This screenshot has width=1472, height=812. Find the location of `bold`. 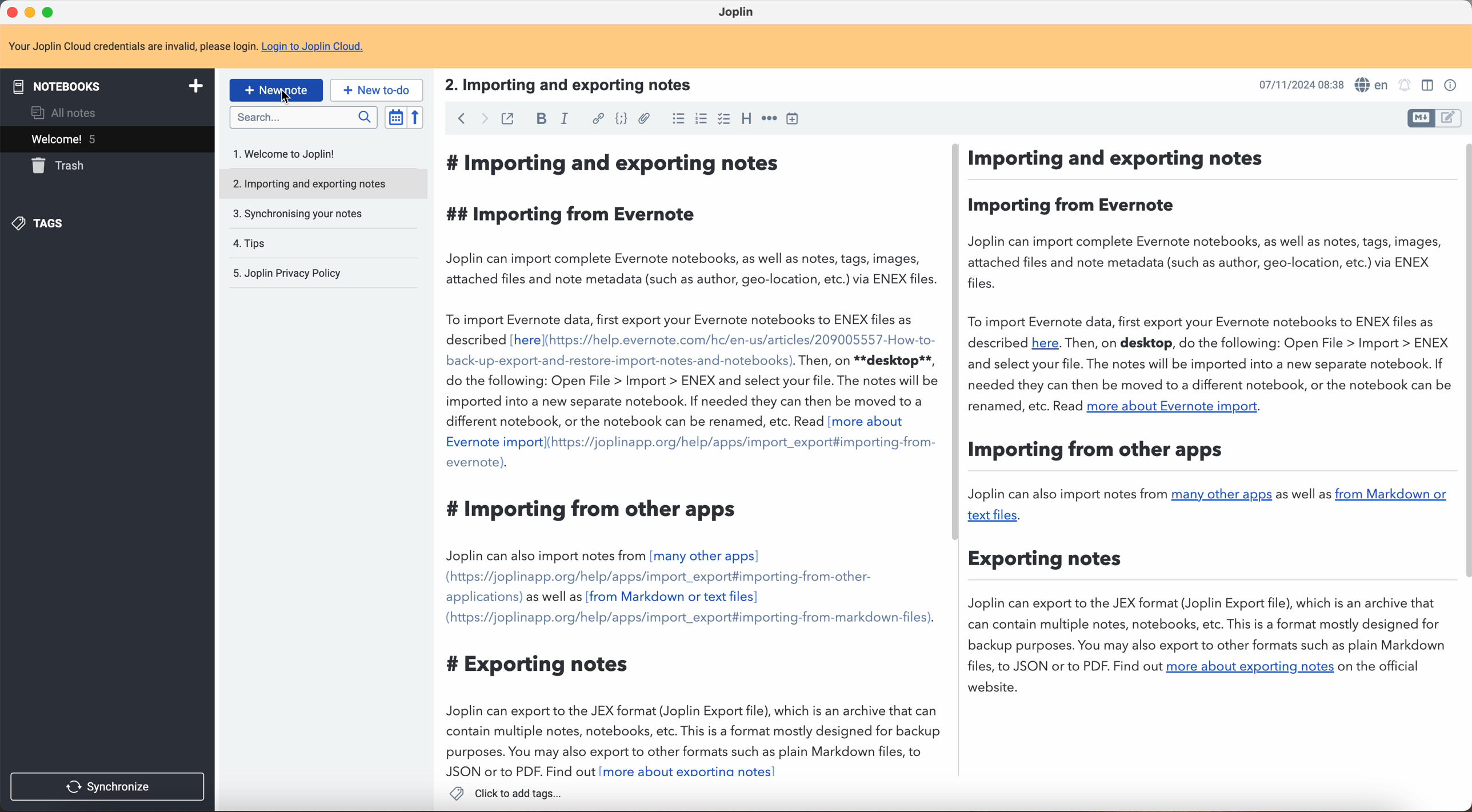

bold is located at coordinates (543, 118).